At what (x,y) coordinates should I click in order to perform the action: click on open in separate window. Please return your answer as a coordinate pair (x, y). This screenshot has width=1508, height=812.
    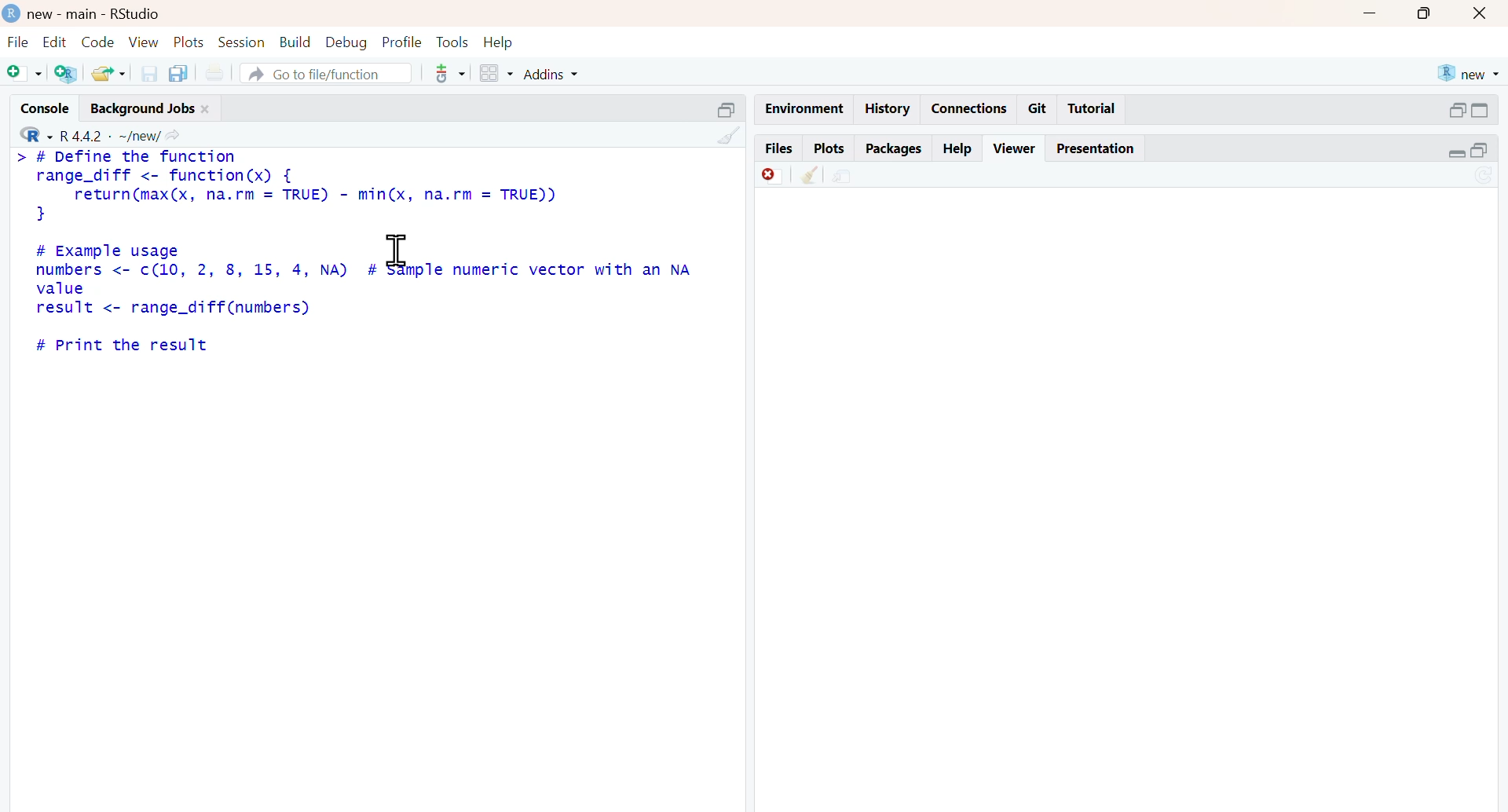
    Looking at the image, I should click on (1480, 150).